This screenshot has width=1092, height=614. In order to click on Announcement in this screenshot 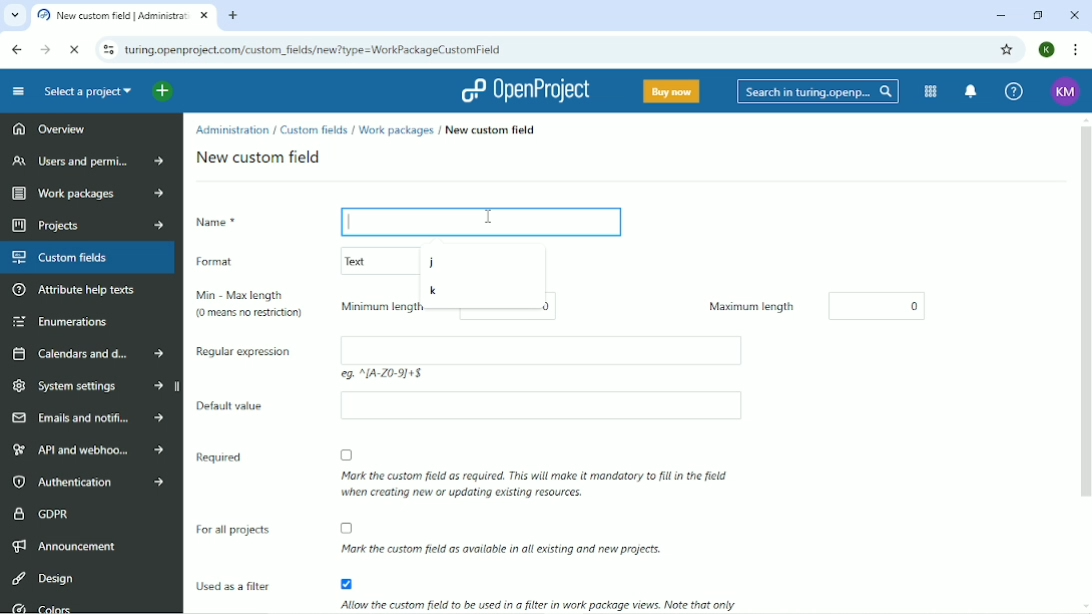, I will do `click(66, 545)`.